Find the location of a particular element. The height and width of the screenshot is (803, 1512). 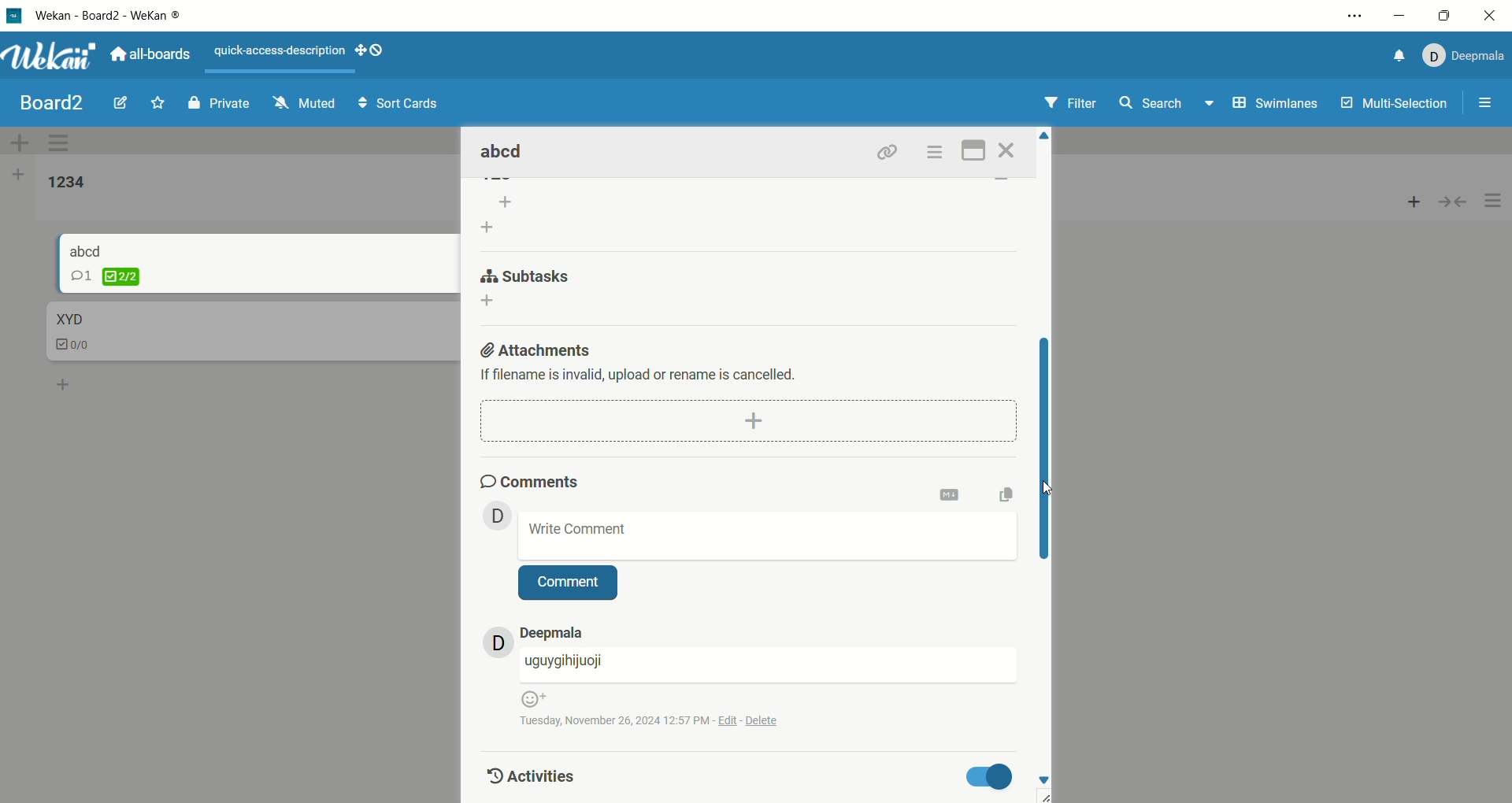

account is located at coordinates (552, 632).